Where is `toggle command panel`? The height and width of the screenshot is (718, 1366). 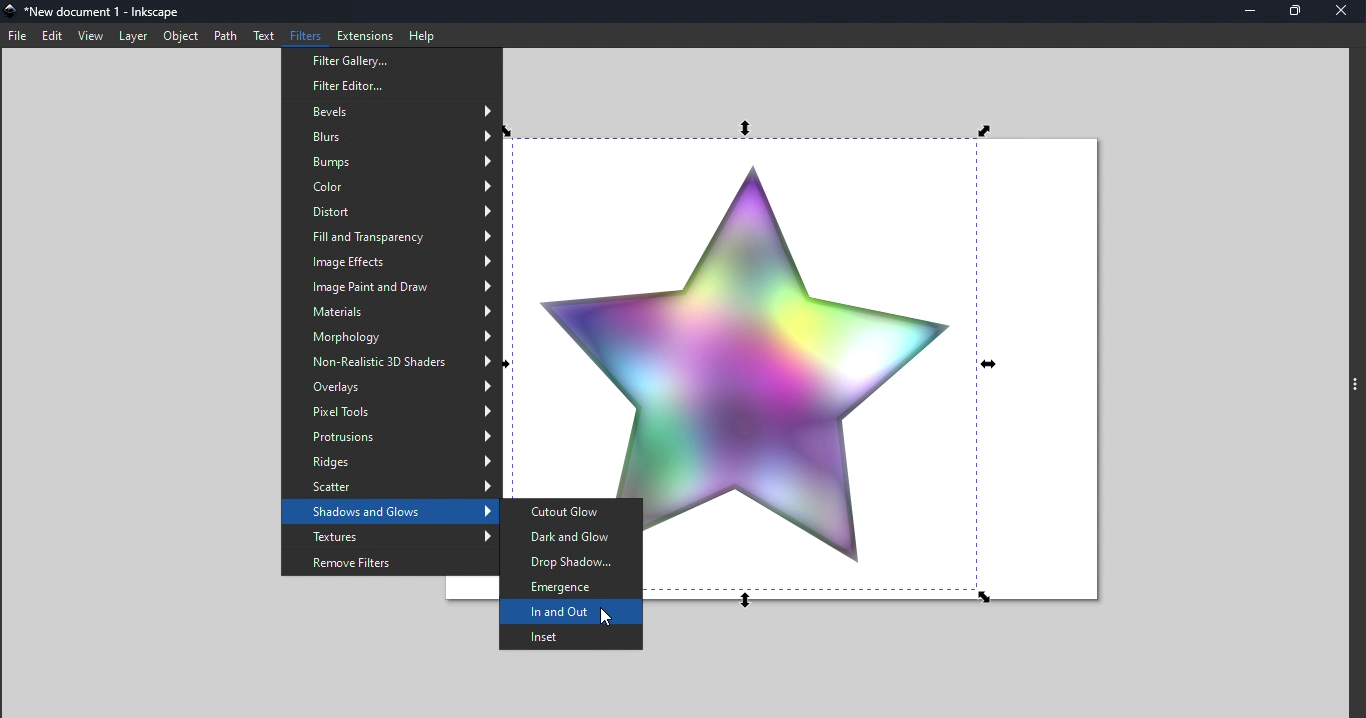
toggle command panel is located at coordinates (1354, 393).